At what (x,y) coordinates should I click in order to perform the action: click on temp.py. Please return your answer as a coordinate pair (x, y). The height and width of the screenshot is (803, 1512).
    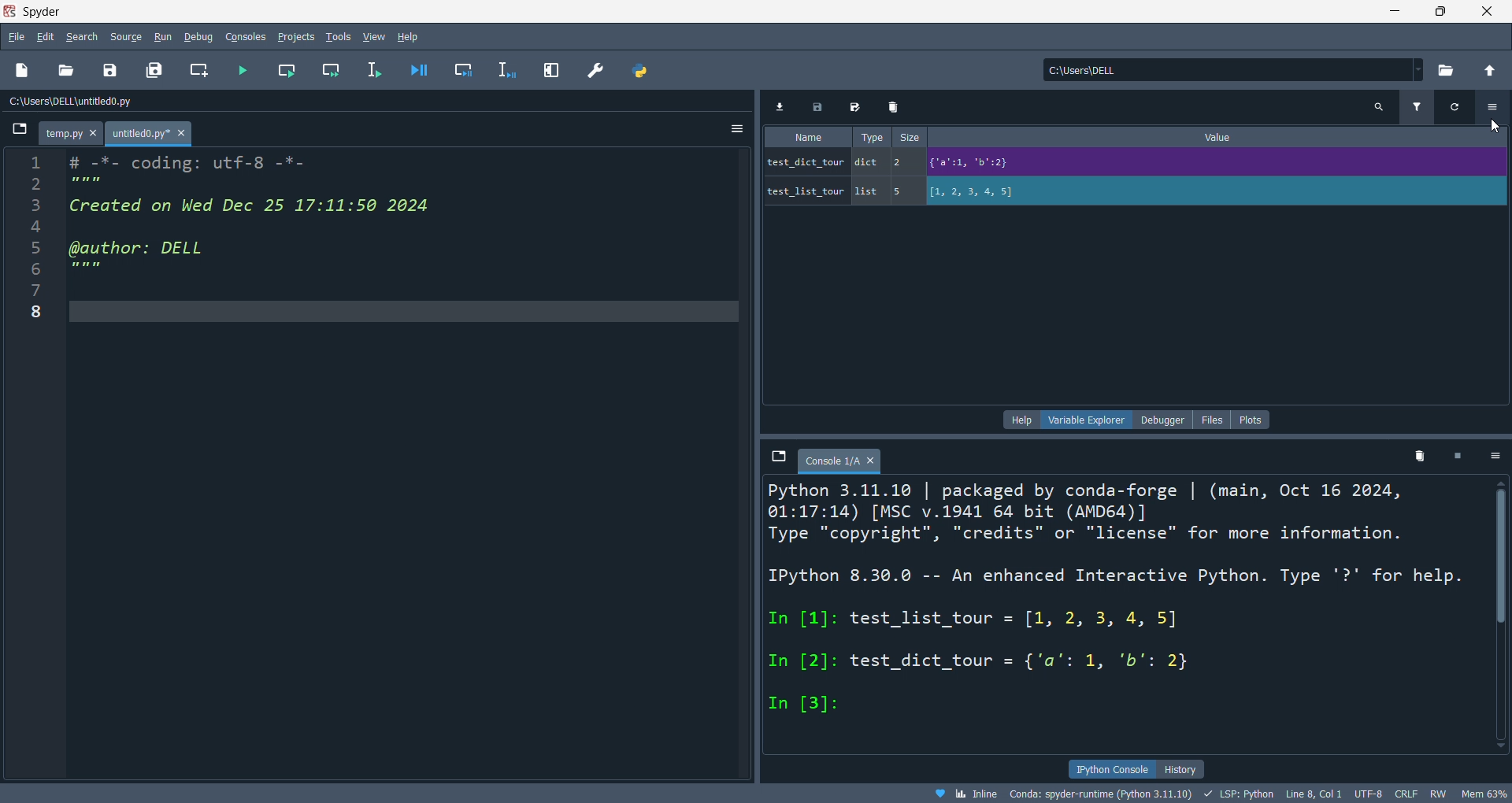
    Looking at the image, I should click on (69, 134).